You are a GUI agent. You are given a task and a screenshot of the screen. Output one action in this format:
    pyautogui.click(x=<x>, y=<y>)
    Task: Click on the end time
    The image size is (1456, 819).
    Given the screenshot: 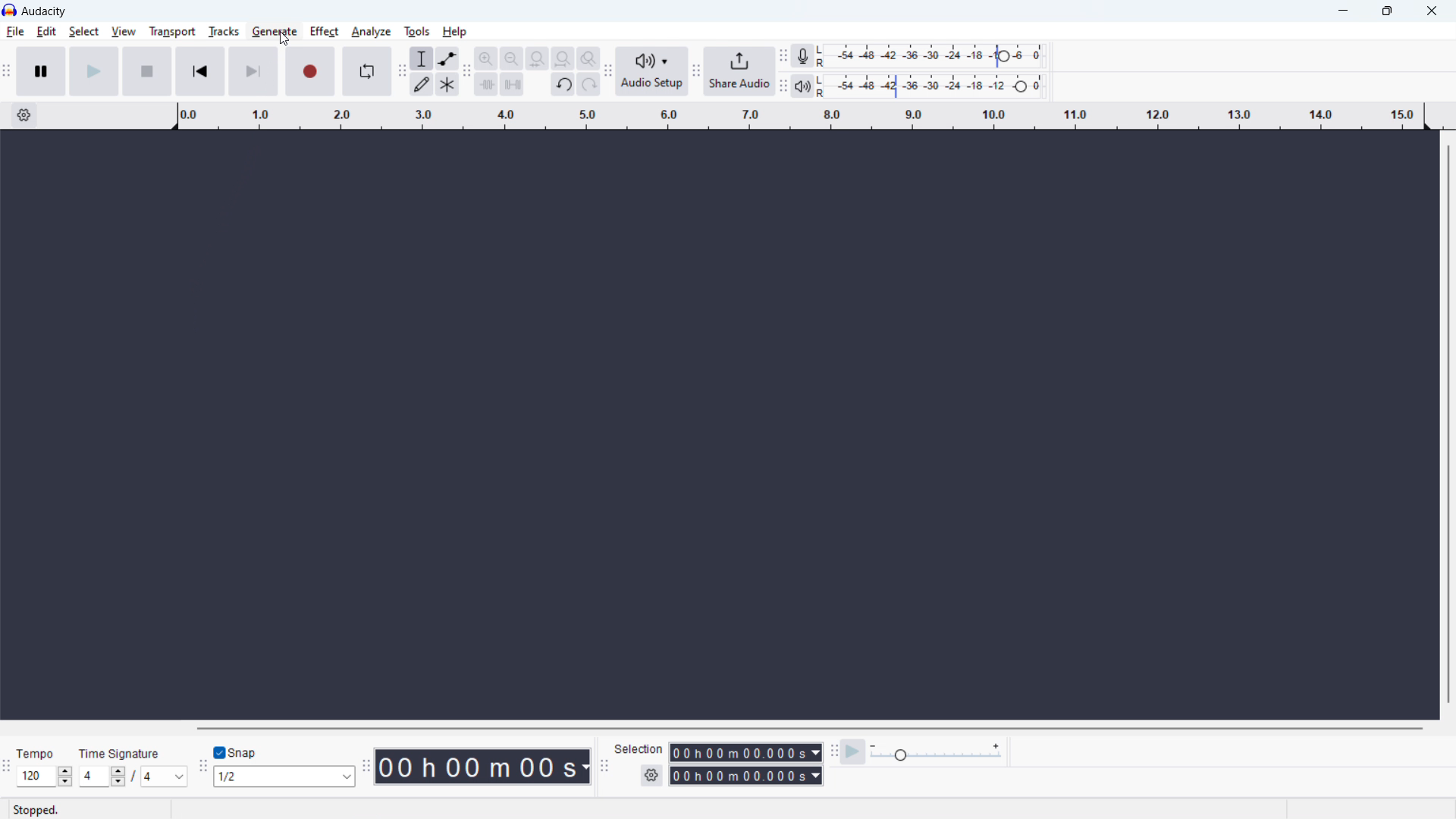 What is the action you would take?
    pyautogui.click(x=746, y=776)
    